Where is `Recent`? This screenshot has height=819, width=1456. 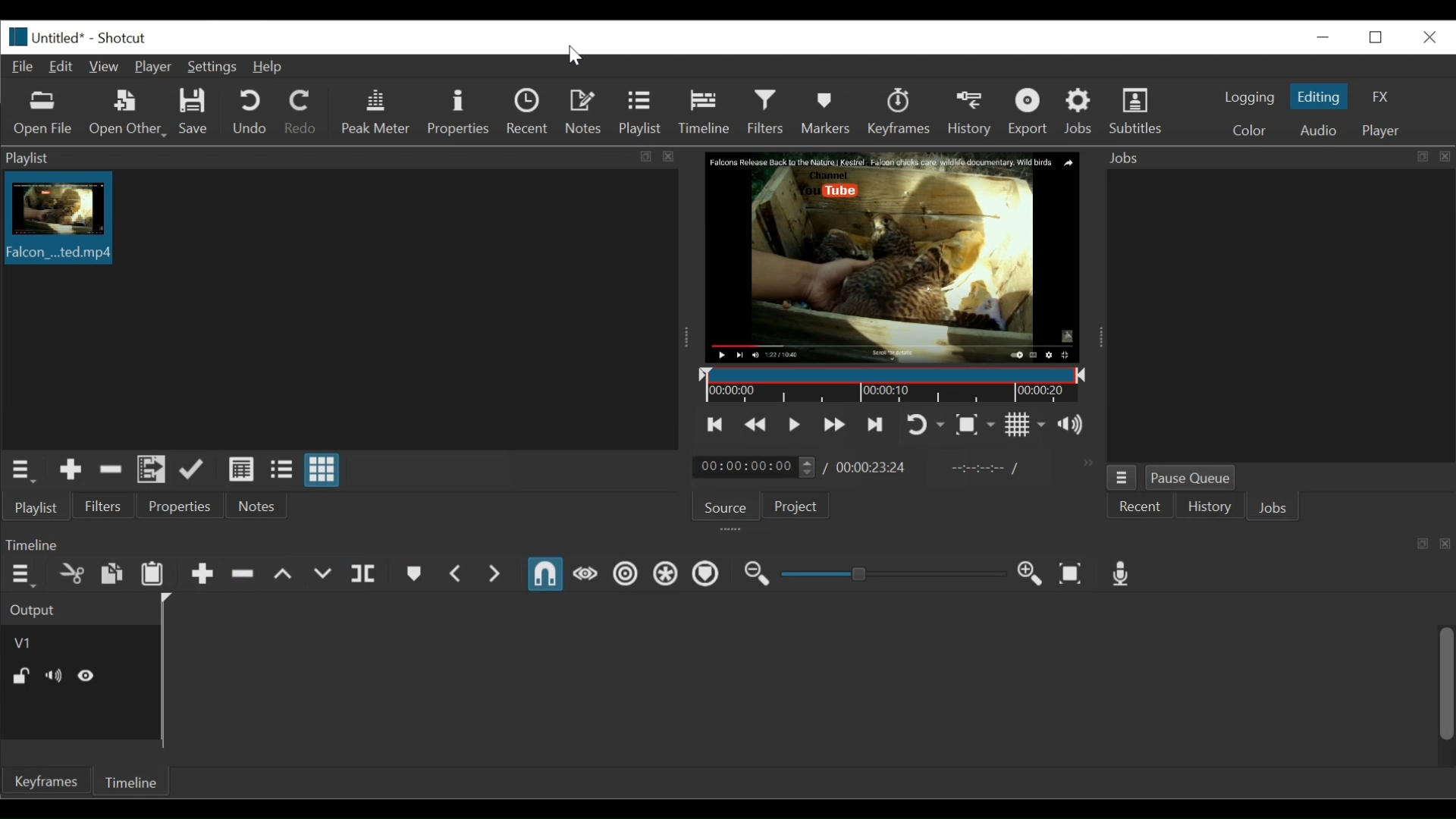
Recent is located at coordinates (1141, 508).